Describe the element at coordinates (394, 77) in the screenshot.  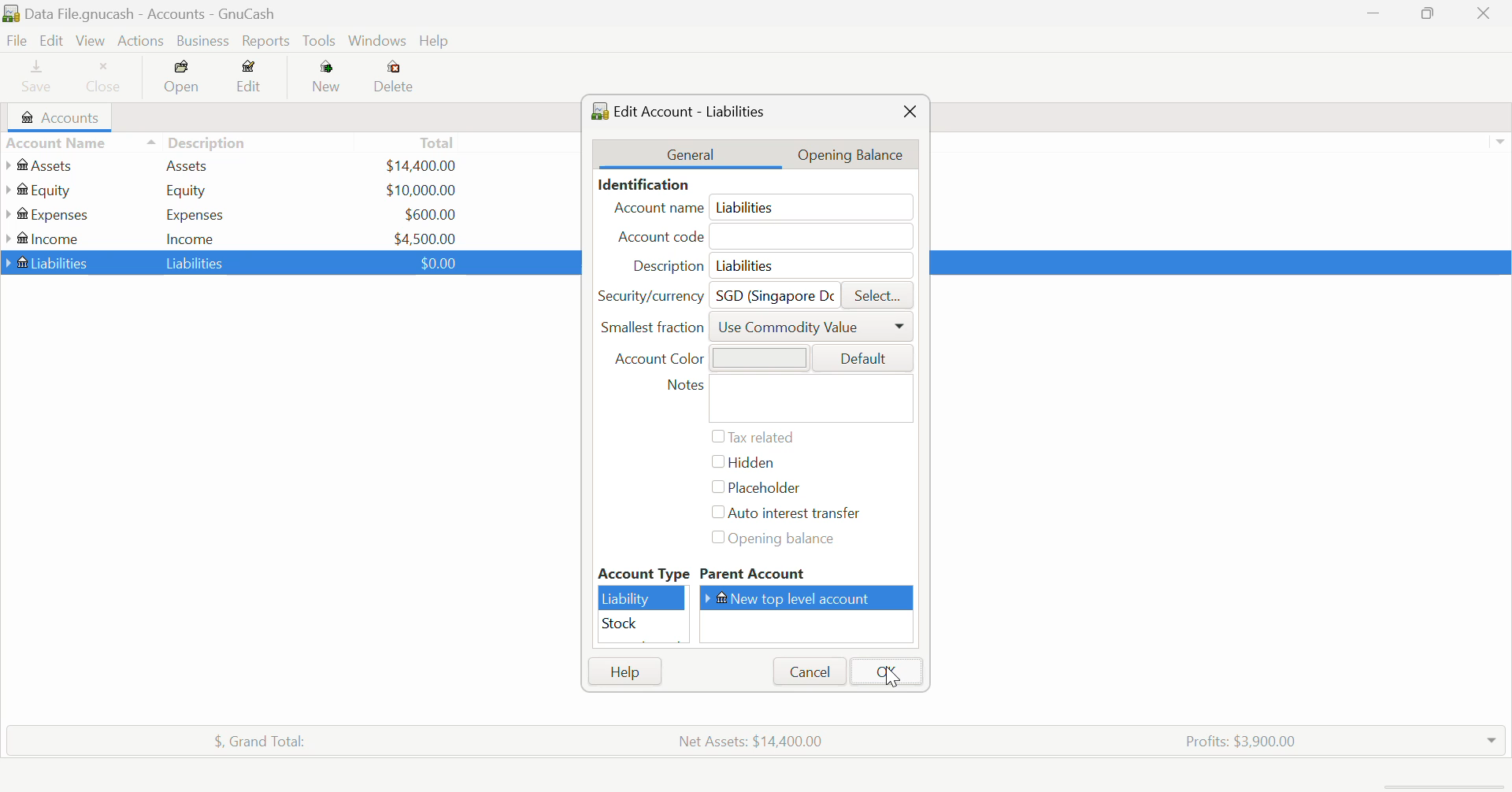
I see `Delete` at that location.